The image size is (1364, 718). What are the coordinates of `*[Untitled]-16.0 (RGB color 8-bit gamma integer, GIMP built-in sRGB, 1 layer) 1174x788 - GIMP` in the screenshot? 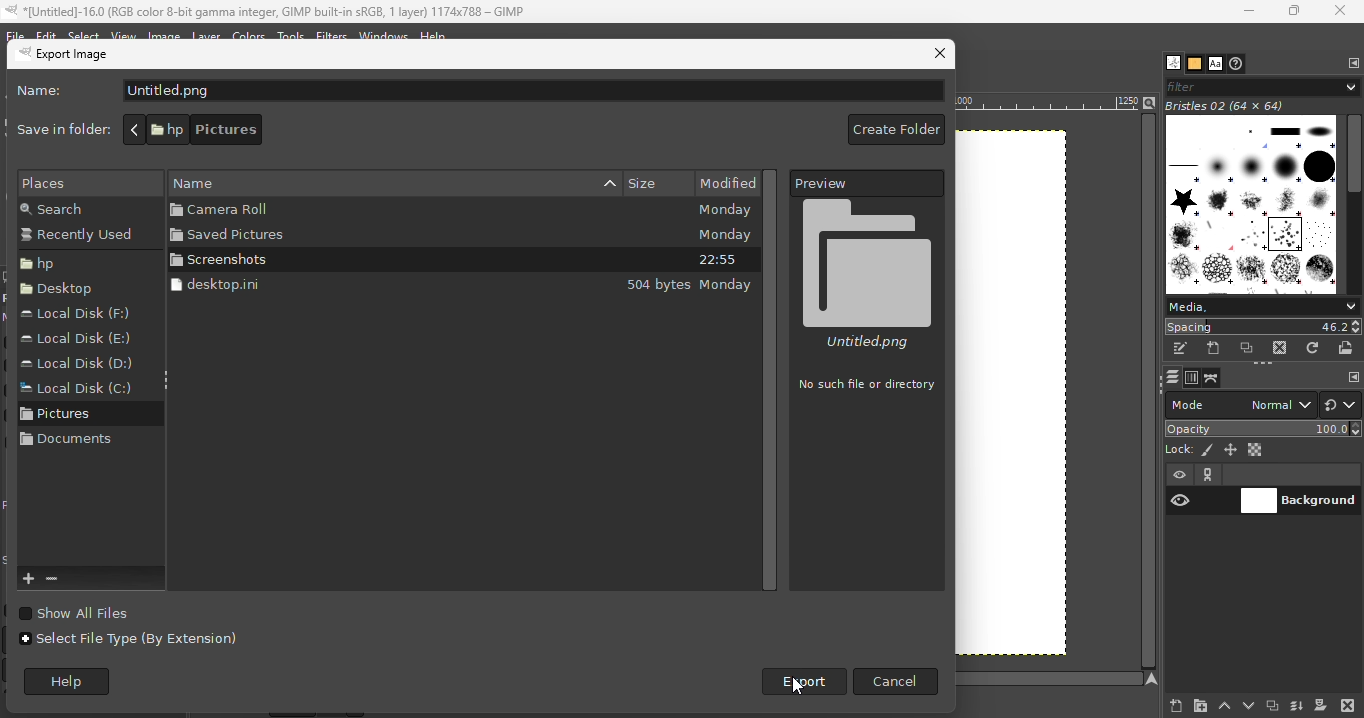 It's located at (267, 11).